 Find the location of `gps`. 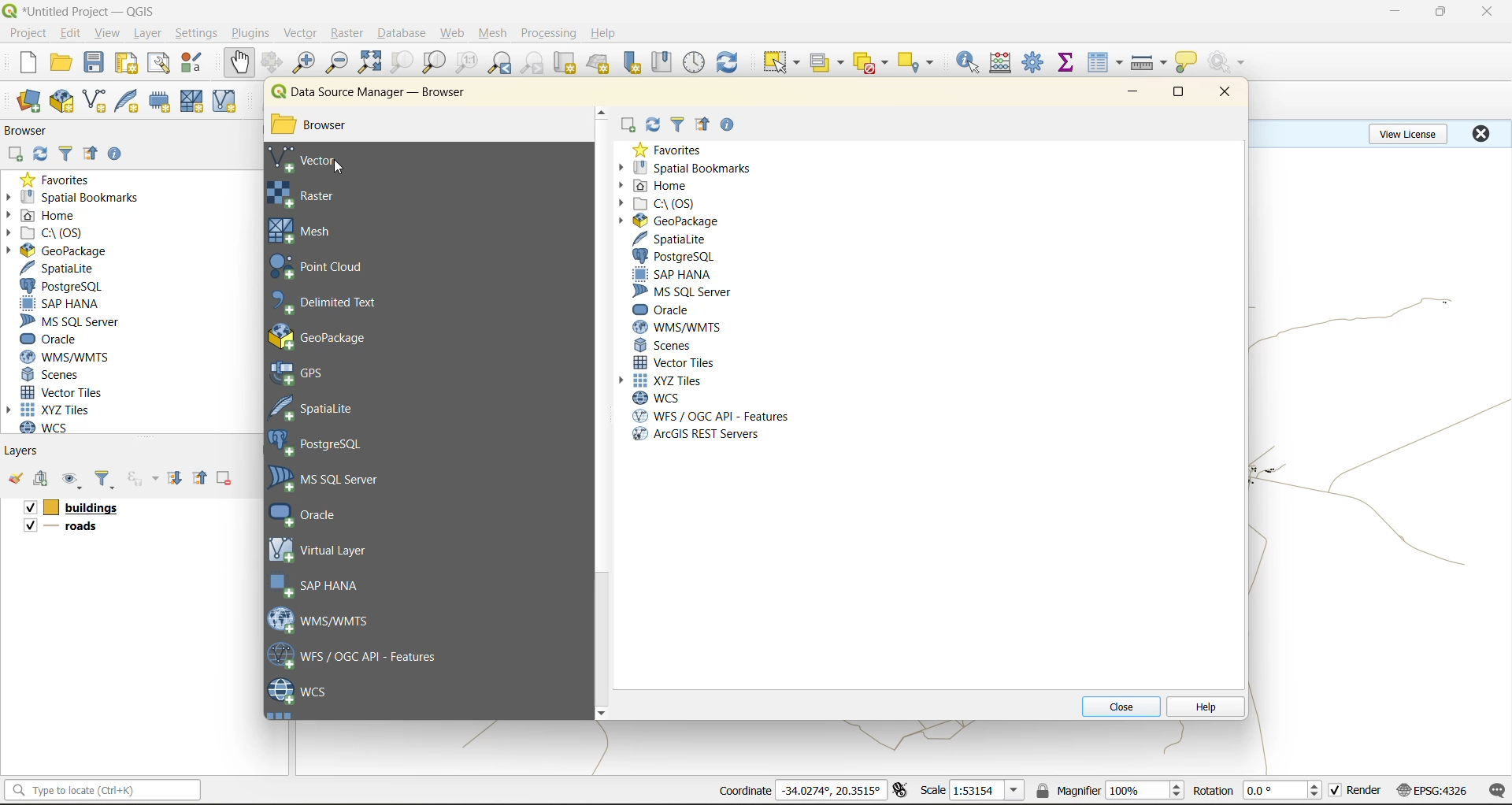

gps is located at coordinates (309, 373).